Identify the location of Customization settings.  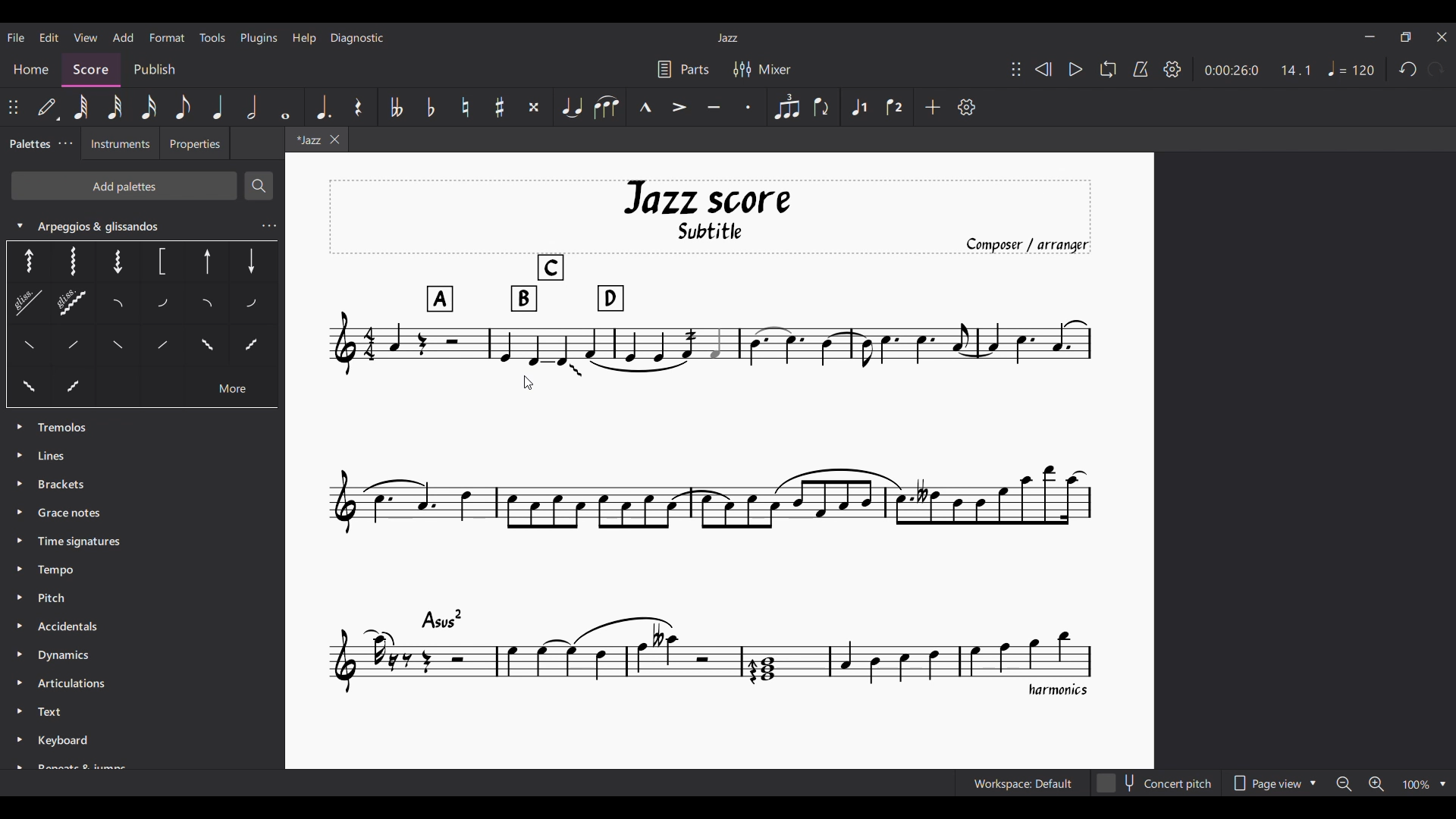
(967, 107).